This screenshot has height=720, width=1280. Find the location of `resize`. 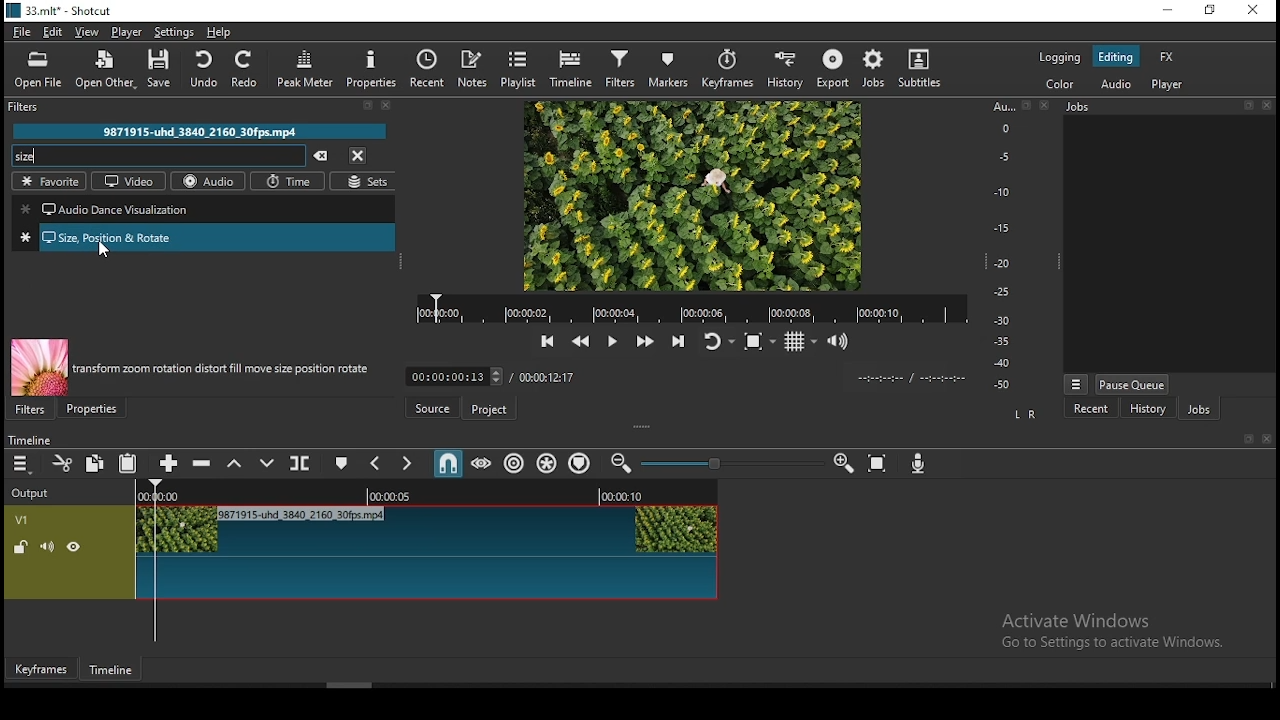

resize is located at coordinates (1249, 438).